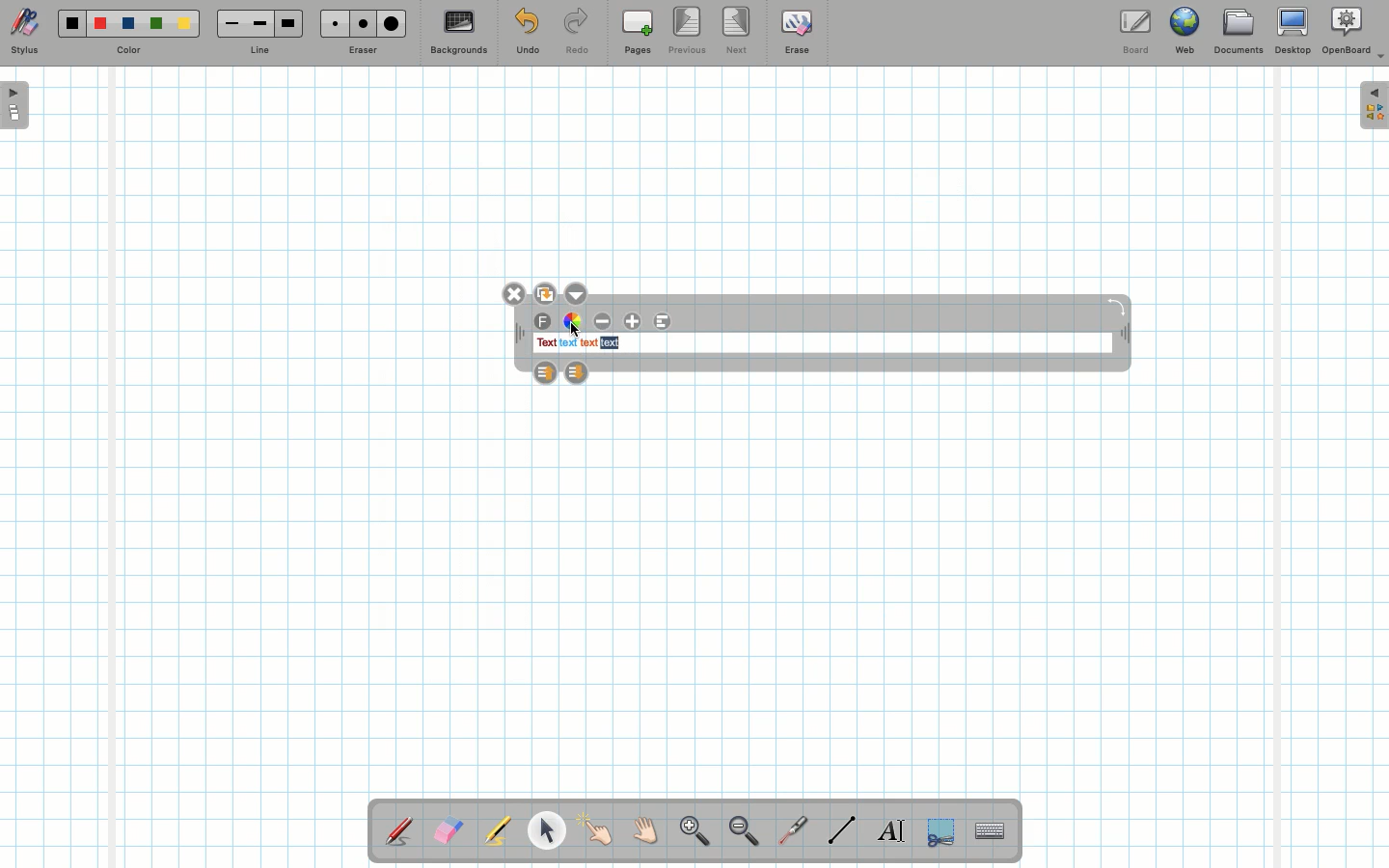 The width and height of the screenshot is (1389, 868). What do you see at coordinates (544, 322) in the screenshot?
I see `Font` at bounding box center [544, 322].